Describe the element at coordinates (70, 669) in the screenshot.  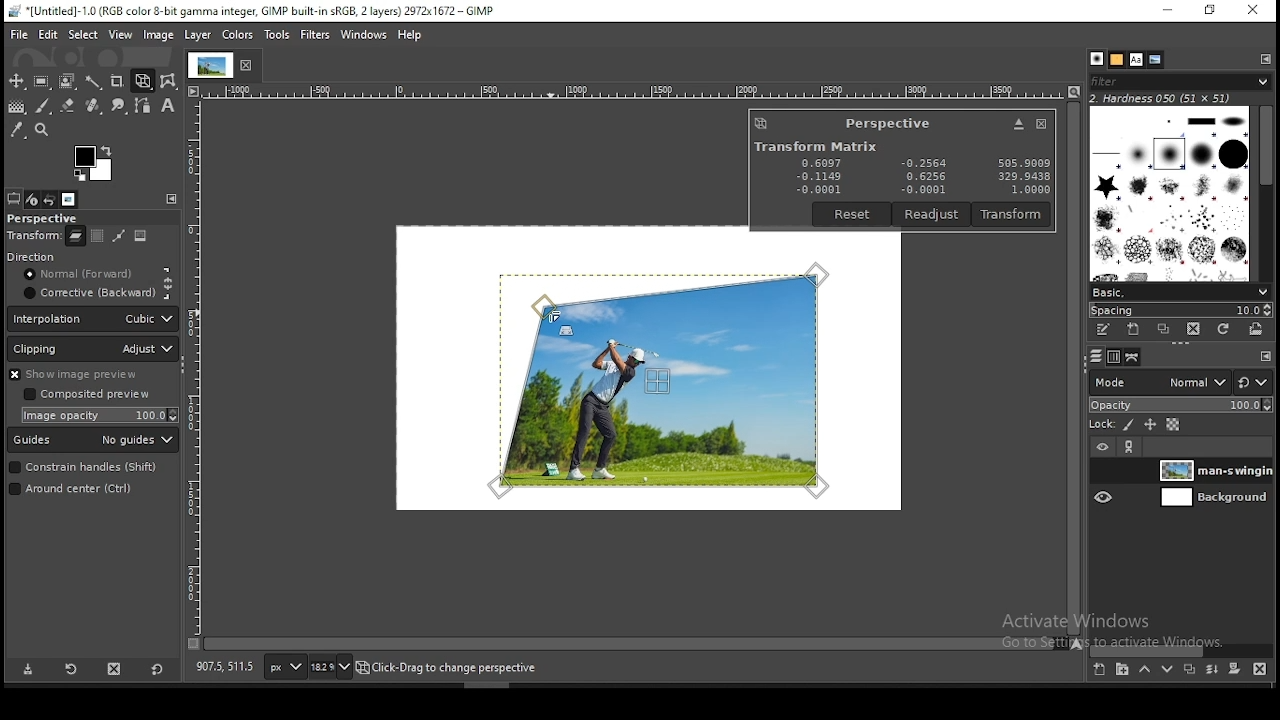
I see `restore tool preset` at that location.